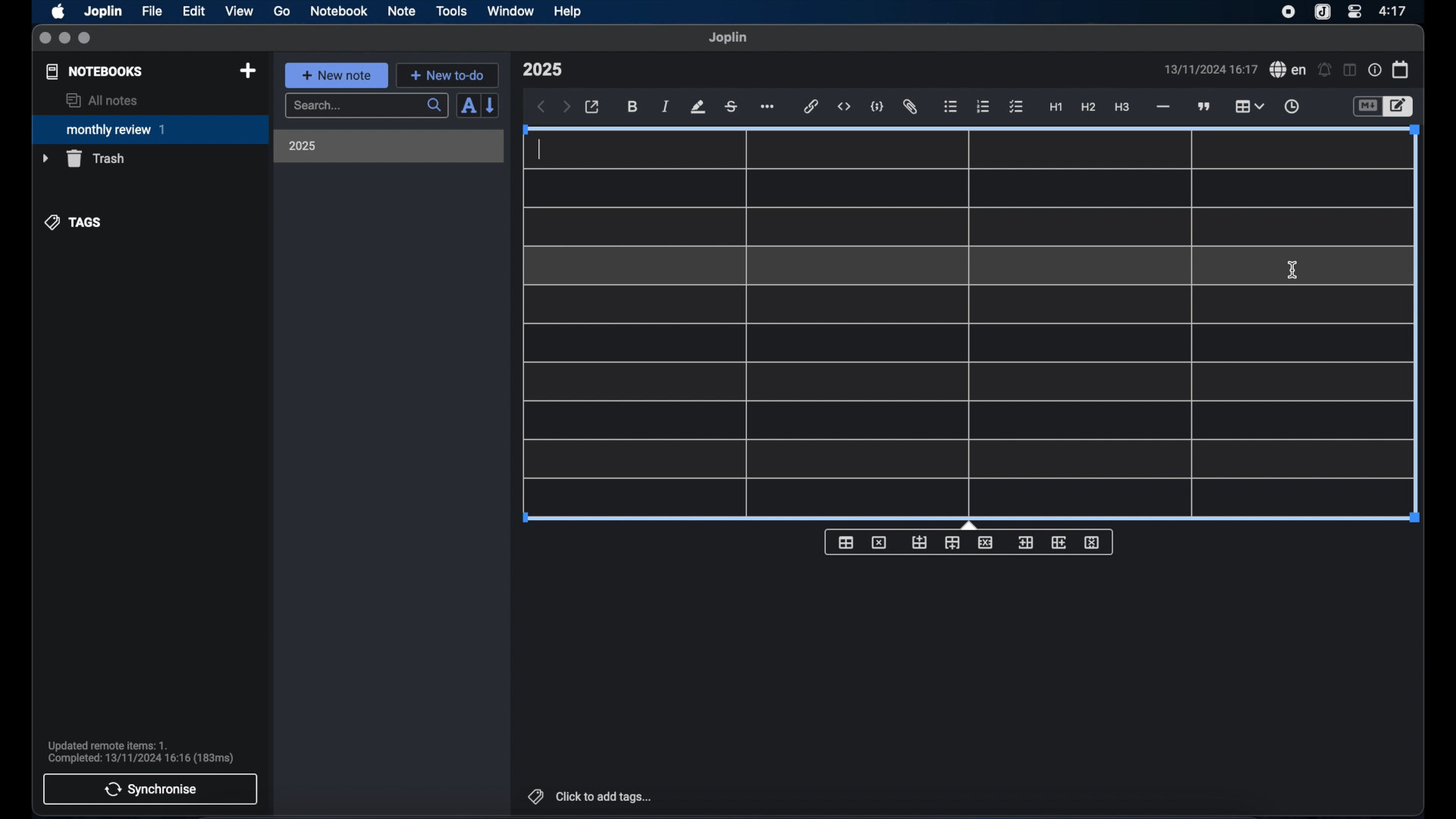  I want to click on inline code, so click(844, 107).